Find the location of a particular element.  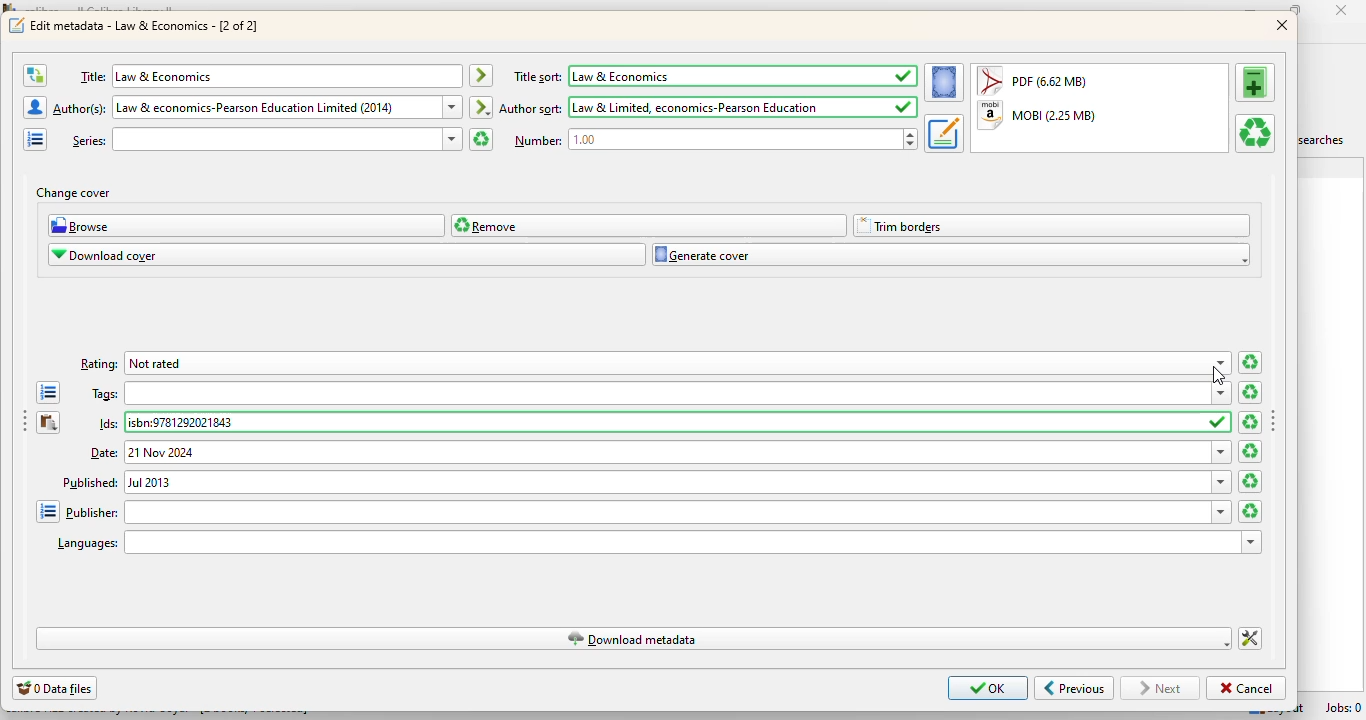

close is located at coordinates (1283, 26).